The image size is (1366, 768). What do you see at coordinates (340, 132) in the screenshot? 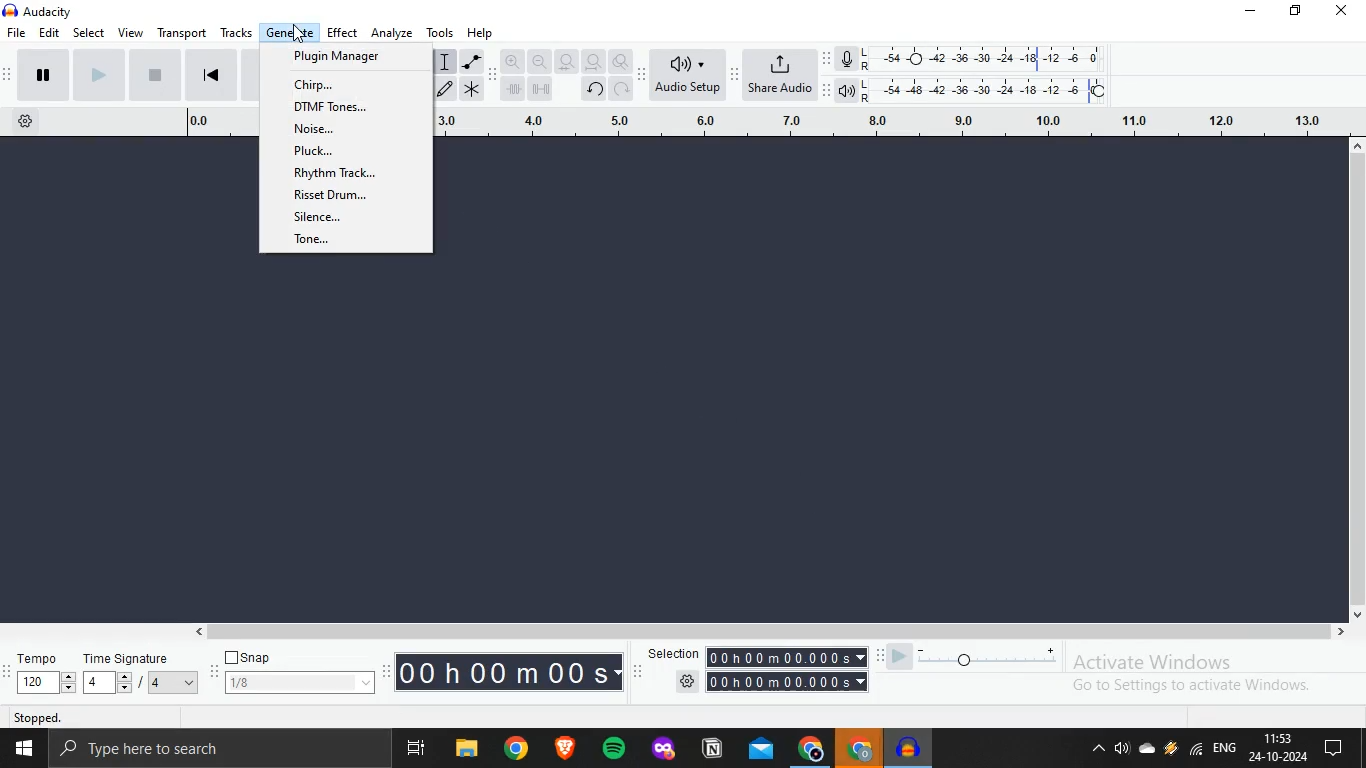
I see `noise..` at bounding box center [340, 132].